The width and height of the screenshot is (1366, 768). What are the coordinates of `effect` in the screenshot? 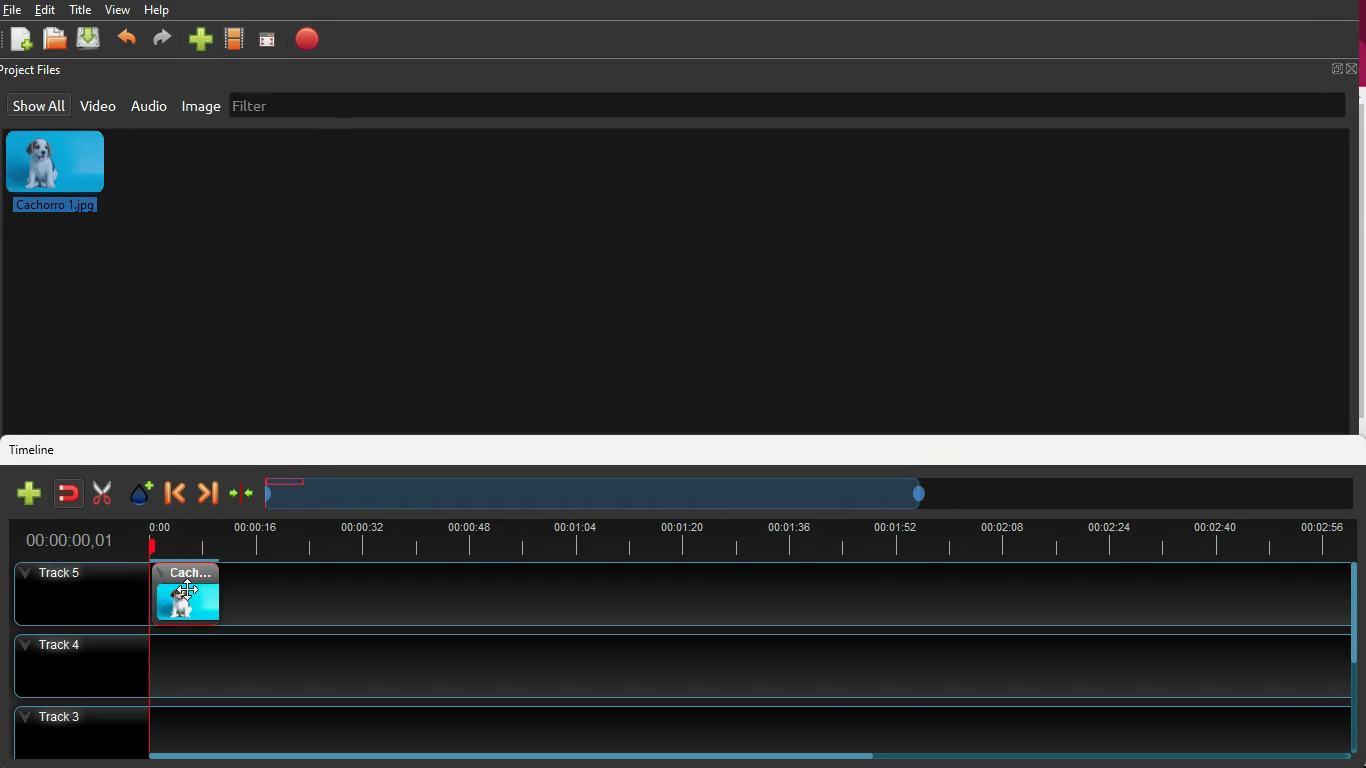 It's located at (143, 494).